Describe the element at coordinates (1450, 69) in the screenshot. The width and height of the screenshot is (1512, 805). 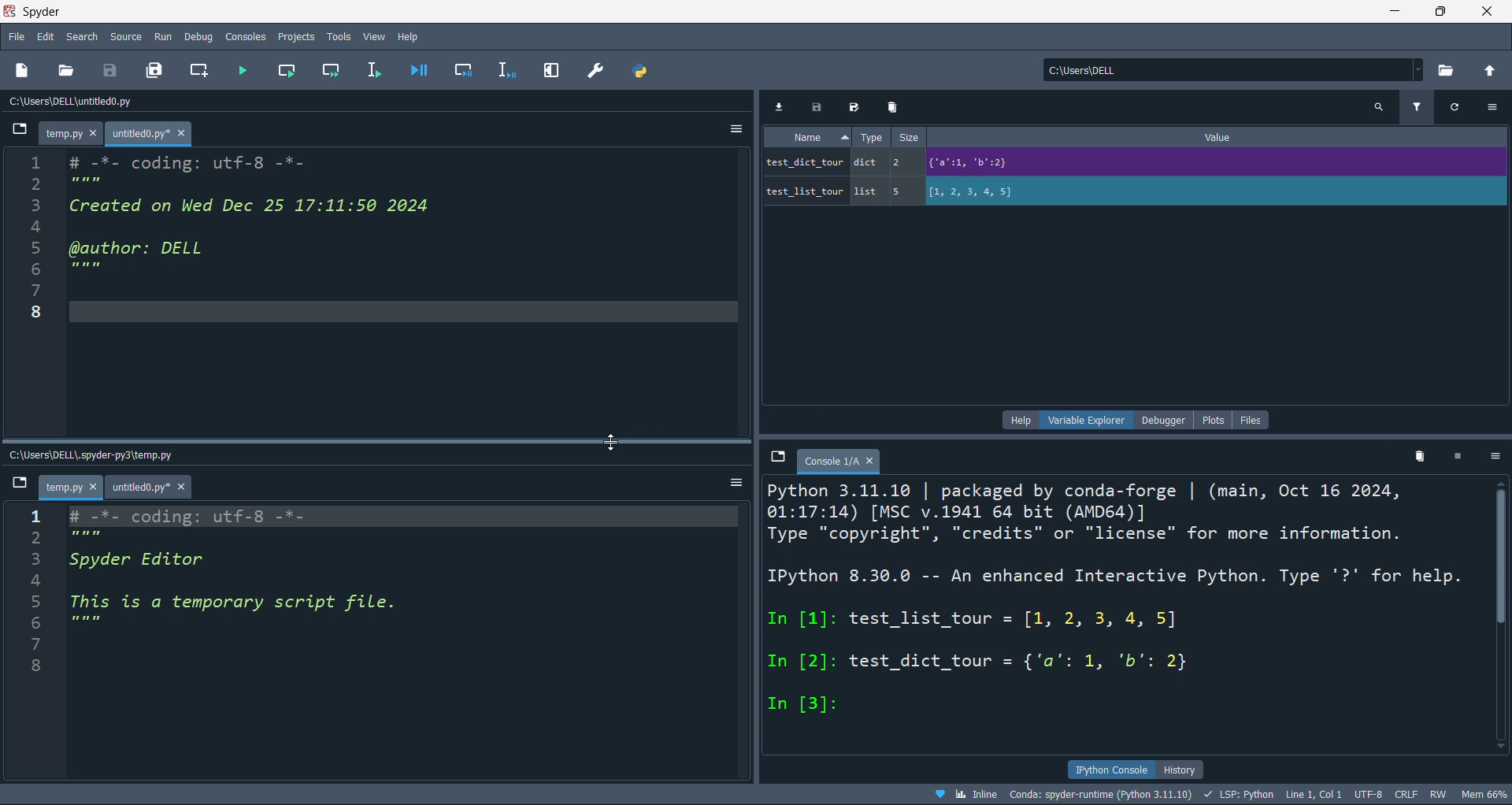
I see `open directory` at that location.